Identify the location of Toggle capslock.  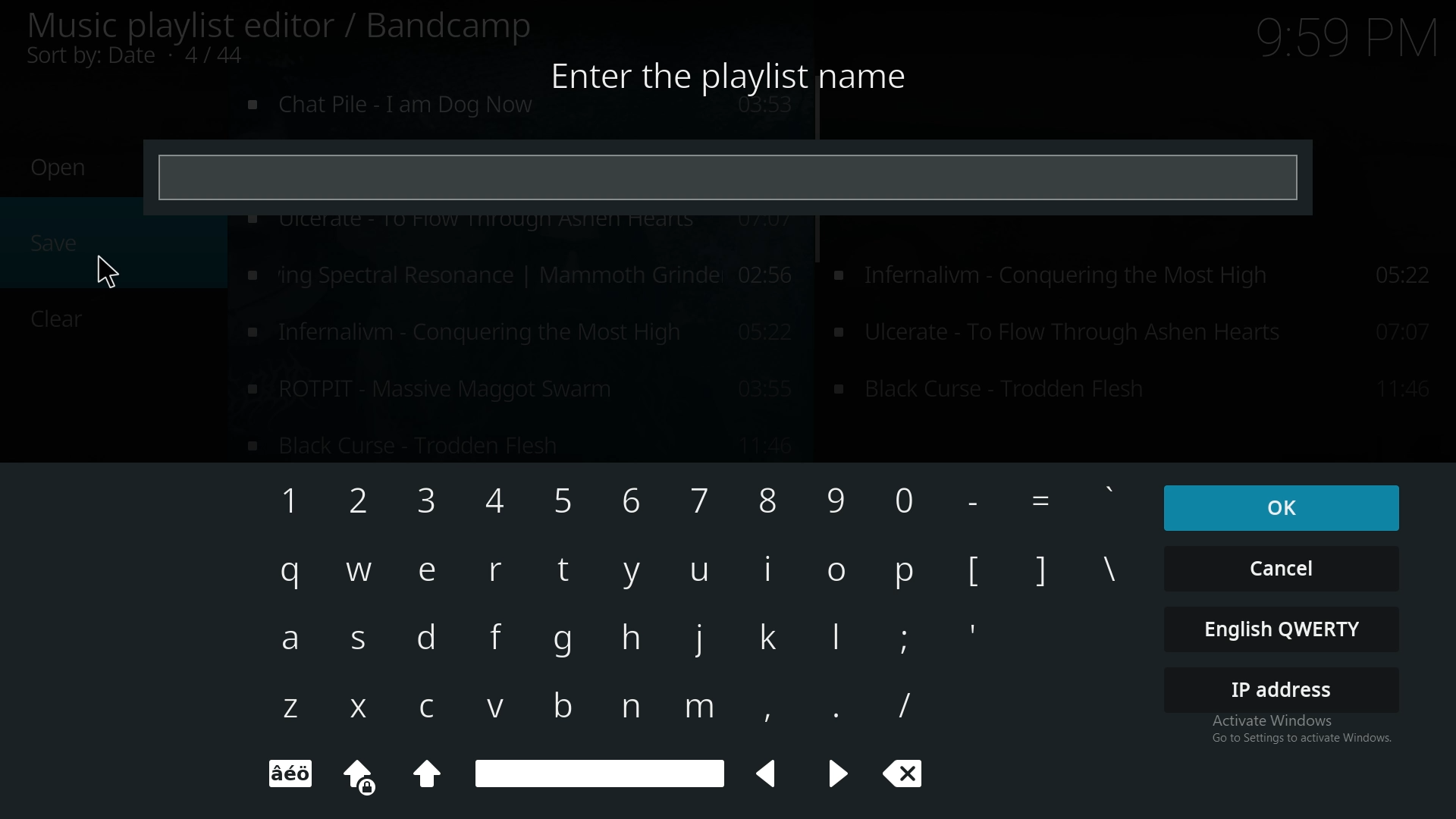
(359, 774).